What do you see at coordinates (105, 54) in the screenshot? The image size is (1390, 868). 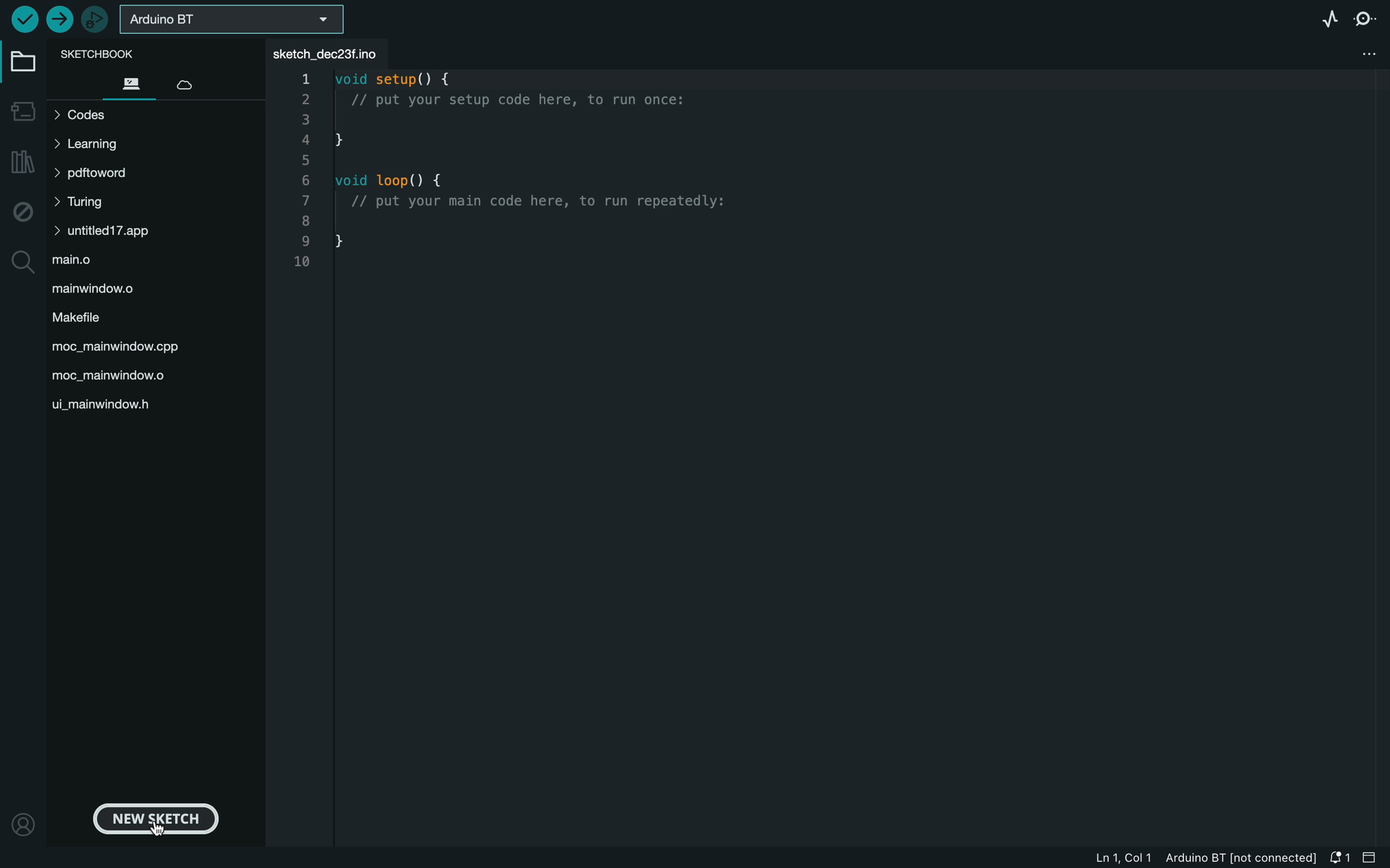 I see `sketchbook` at bounding box center [105, 54].